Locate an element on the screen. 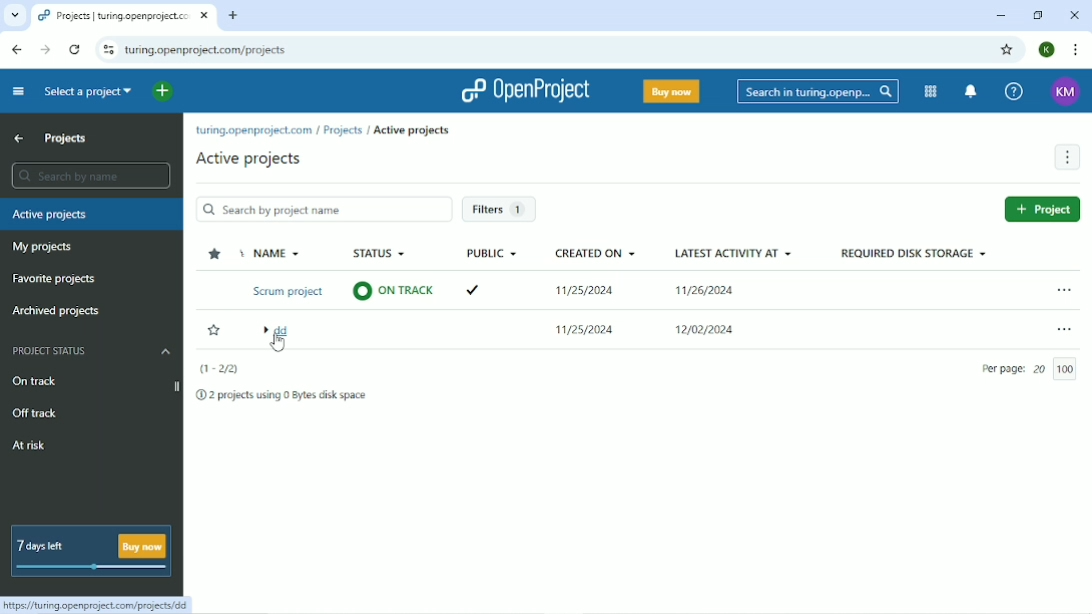 This screenshot has height=614, width=1092. Modules is located at coordinates (930, 91).